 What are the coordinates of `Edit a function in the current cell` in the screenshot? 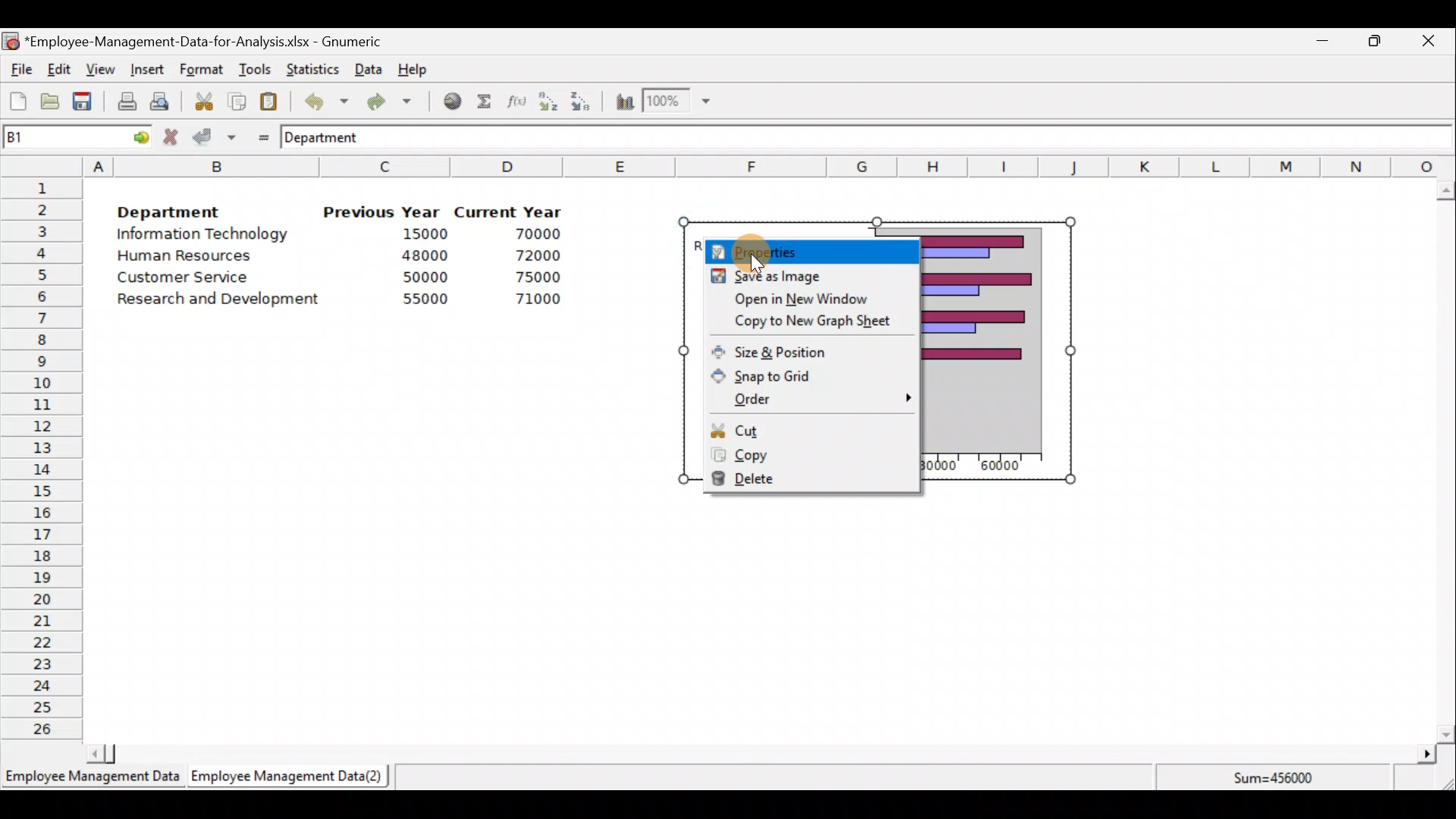 It's located at (516, 100).